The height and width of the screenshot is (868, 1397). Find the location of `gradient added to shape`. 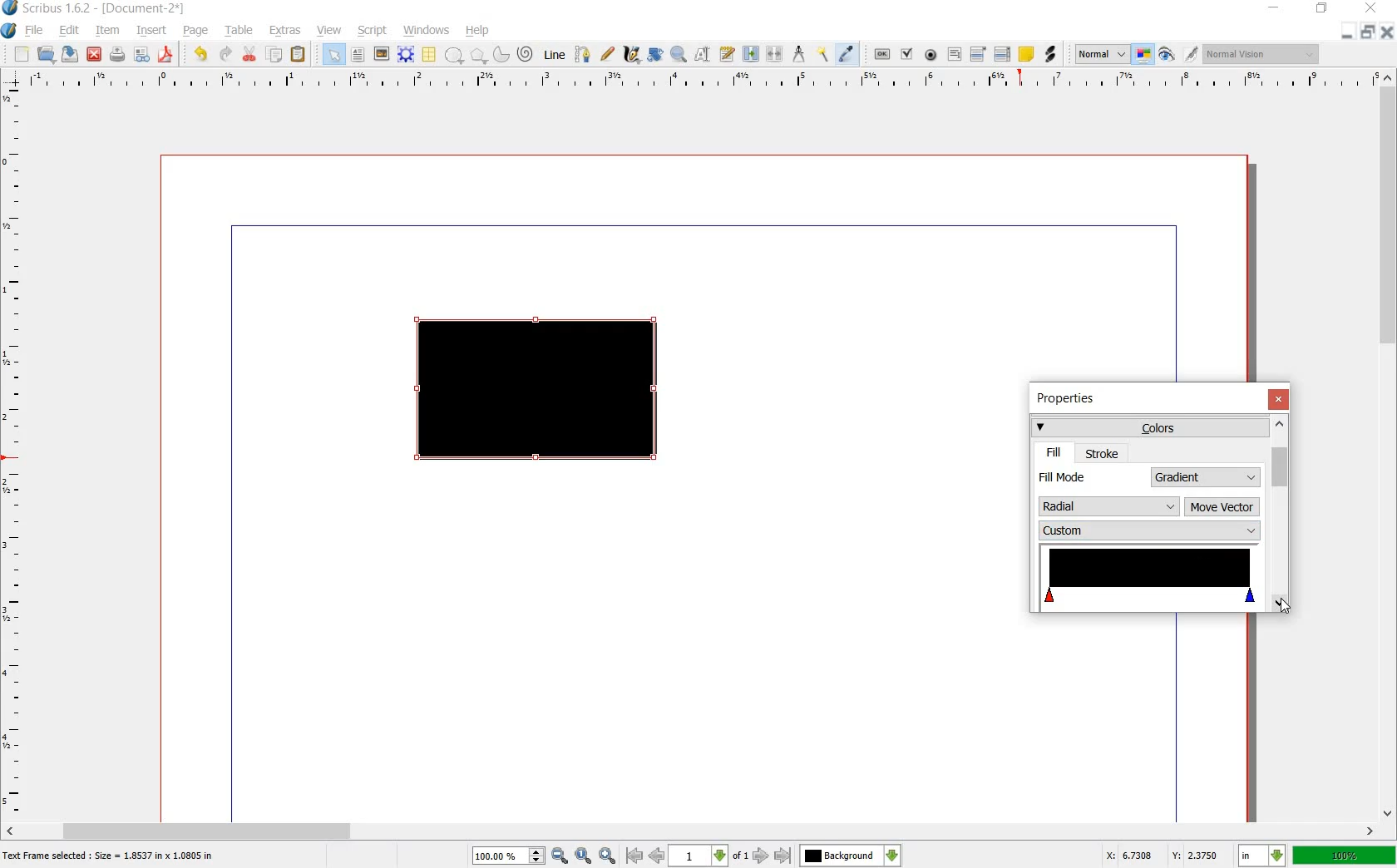

gradient added to shape is located at coordinates (540, 392).